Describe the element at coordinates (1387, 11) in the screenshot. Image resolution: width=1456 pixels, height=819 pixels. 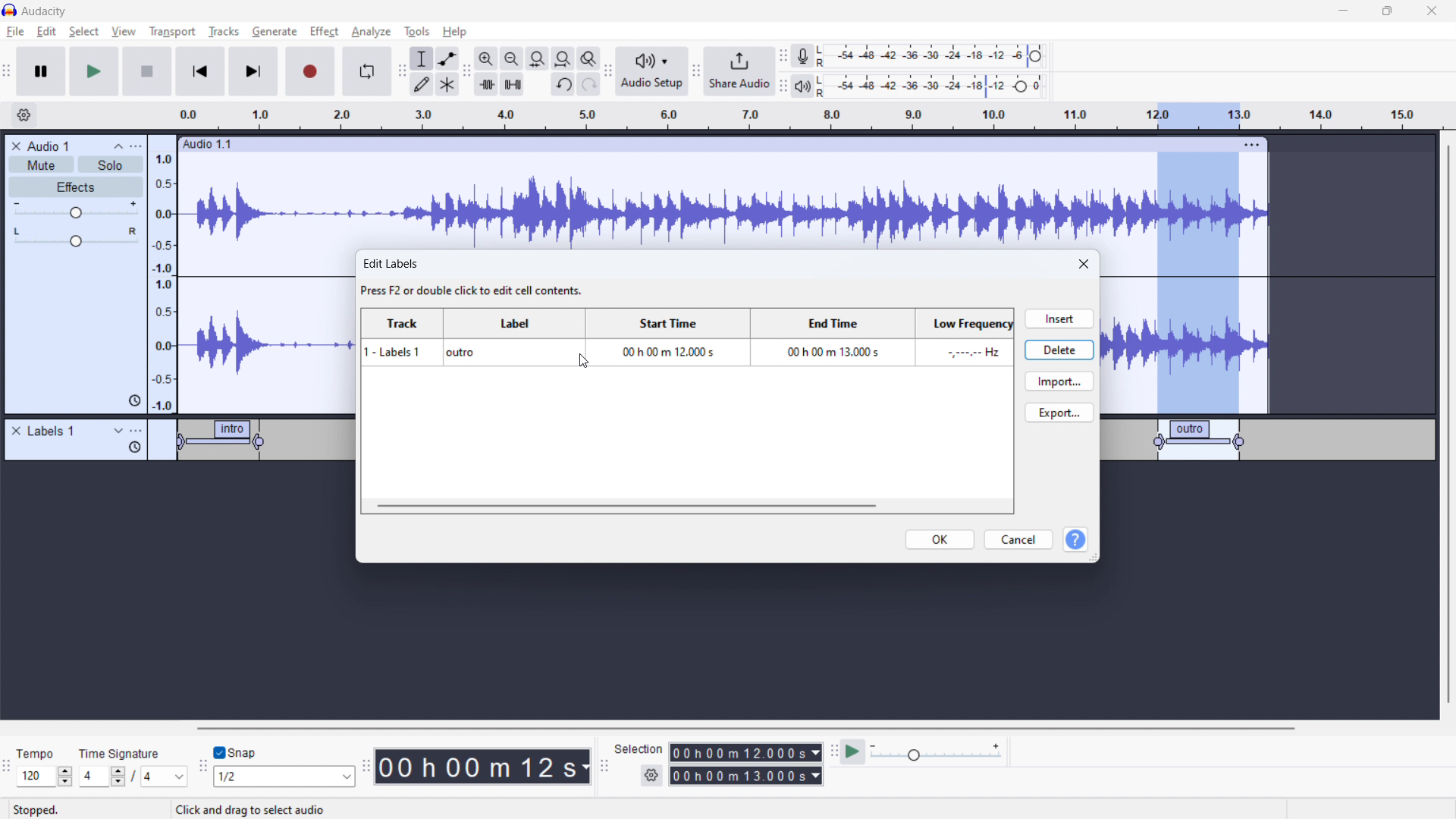
I see `maximize` at that location.